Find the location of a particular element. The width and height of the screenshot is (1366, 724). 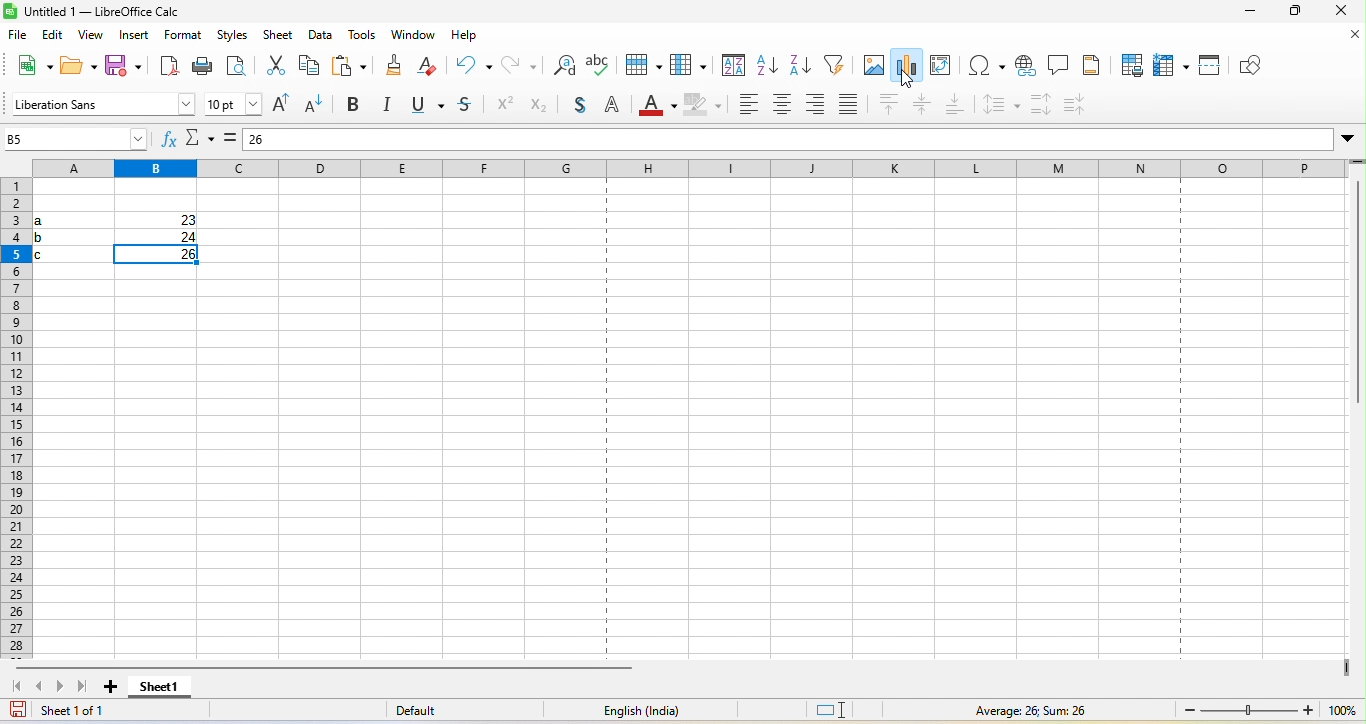

decrease font size is located at coordinates (318, 107).